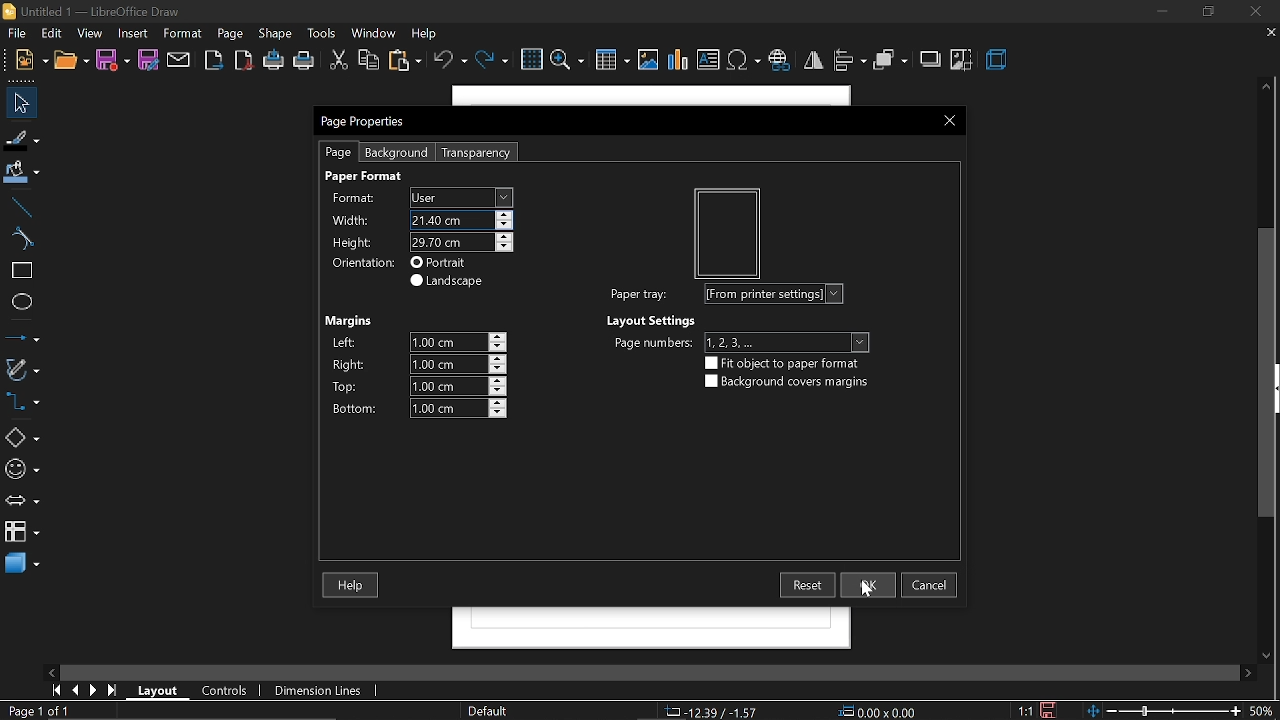 The image size is (1280, 720). Describe the element at coordinates (890, 60) in the screenshot. I see `arrange` at that location.